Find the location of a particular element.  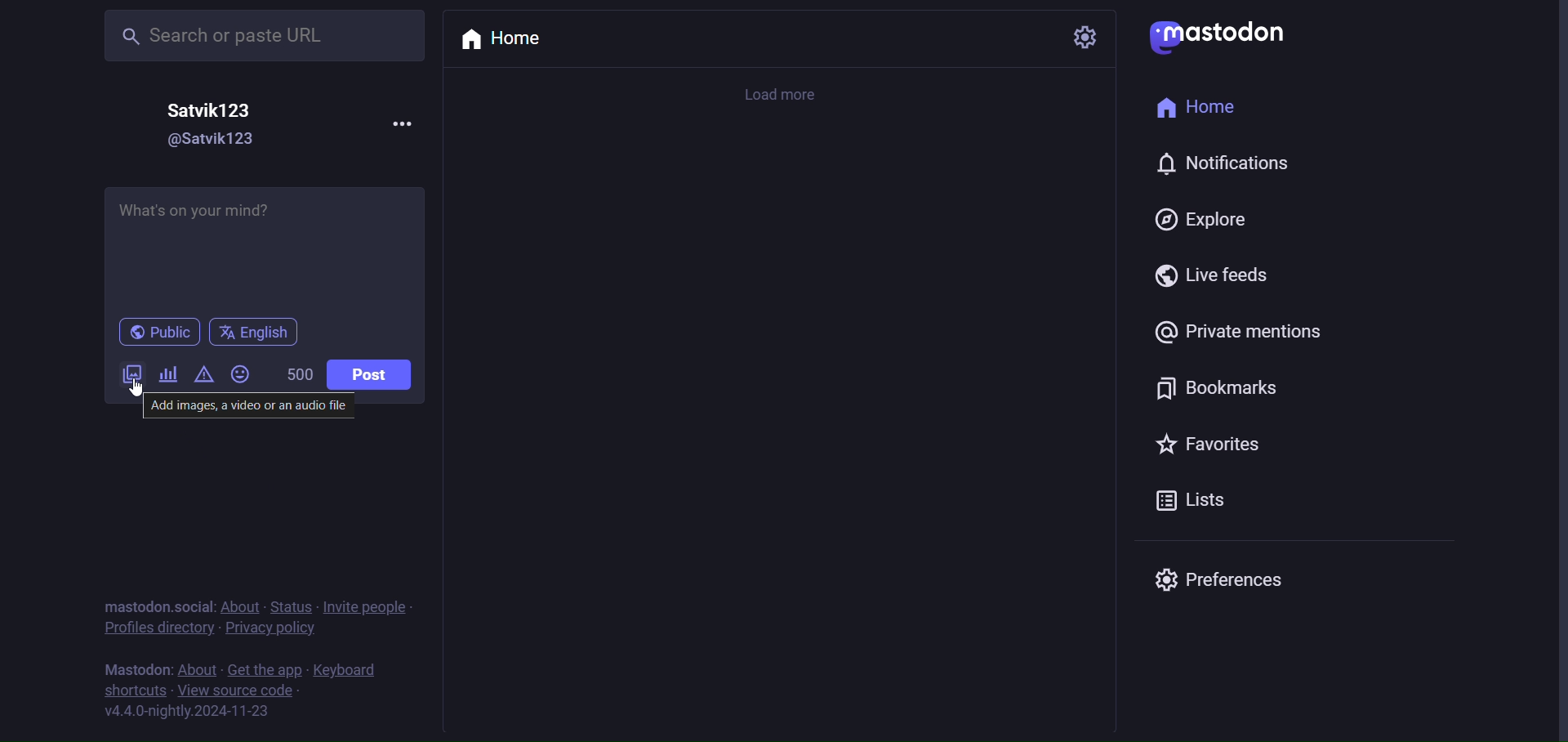

live feed is located at coordinates (1210, 276).